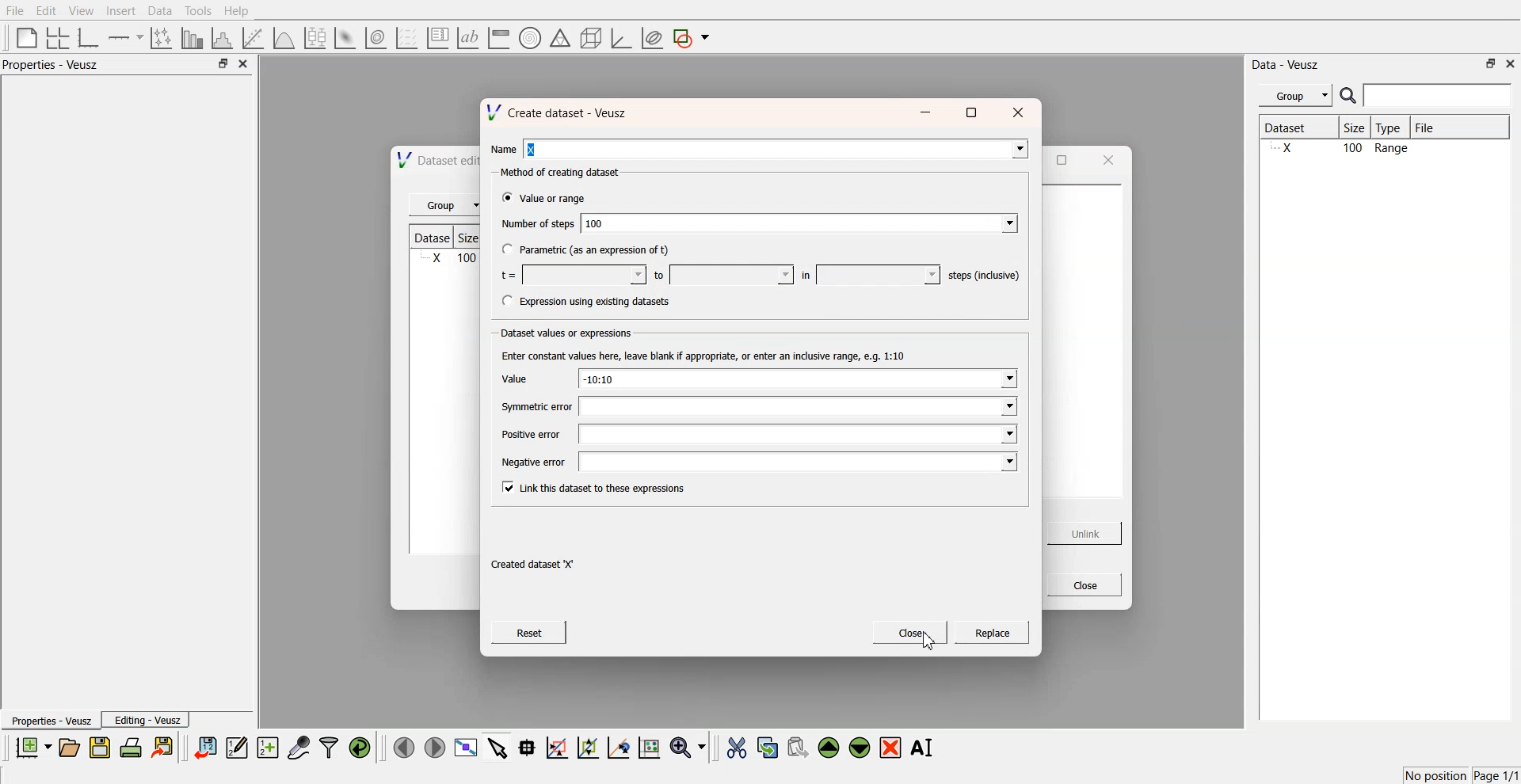 The width and height of the screenshot is (1521, 784). Describe the element at coordinates (530, 632) in the screenshot. I see `Reset` at that location.